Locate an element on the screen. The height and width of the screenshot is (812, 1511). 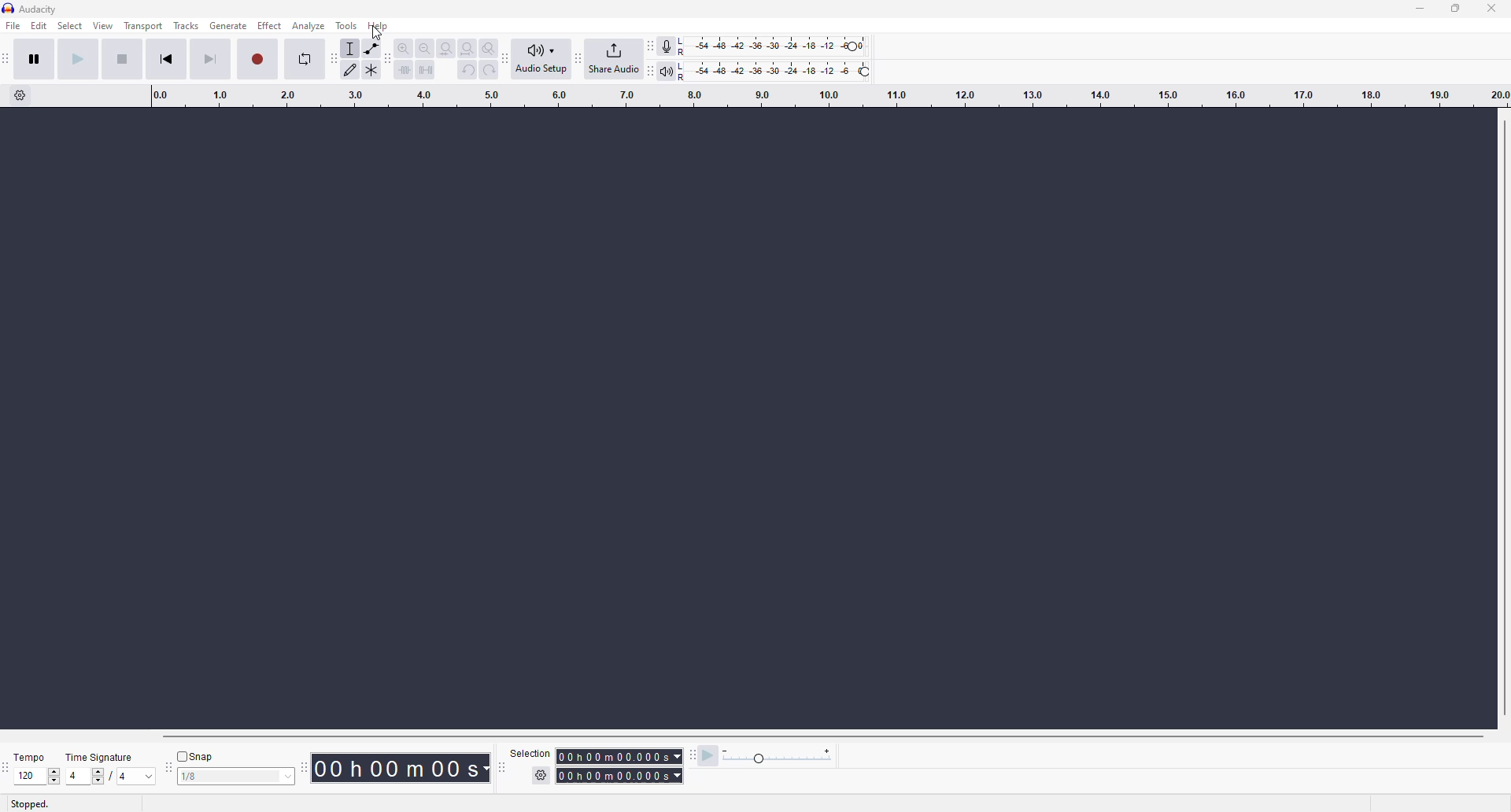
PLAYBACK SPEED is located at coordinates (780, 758).